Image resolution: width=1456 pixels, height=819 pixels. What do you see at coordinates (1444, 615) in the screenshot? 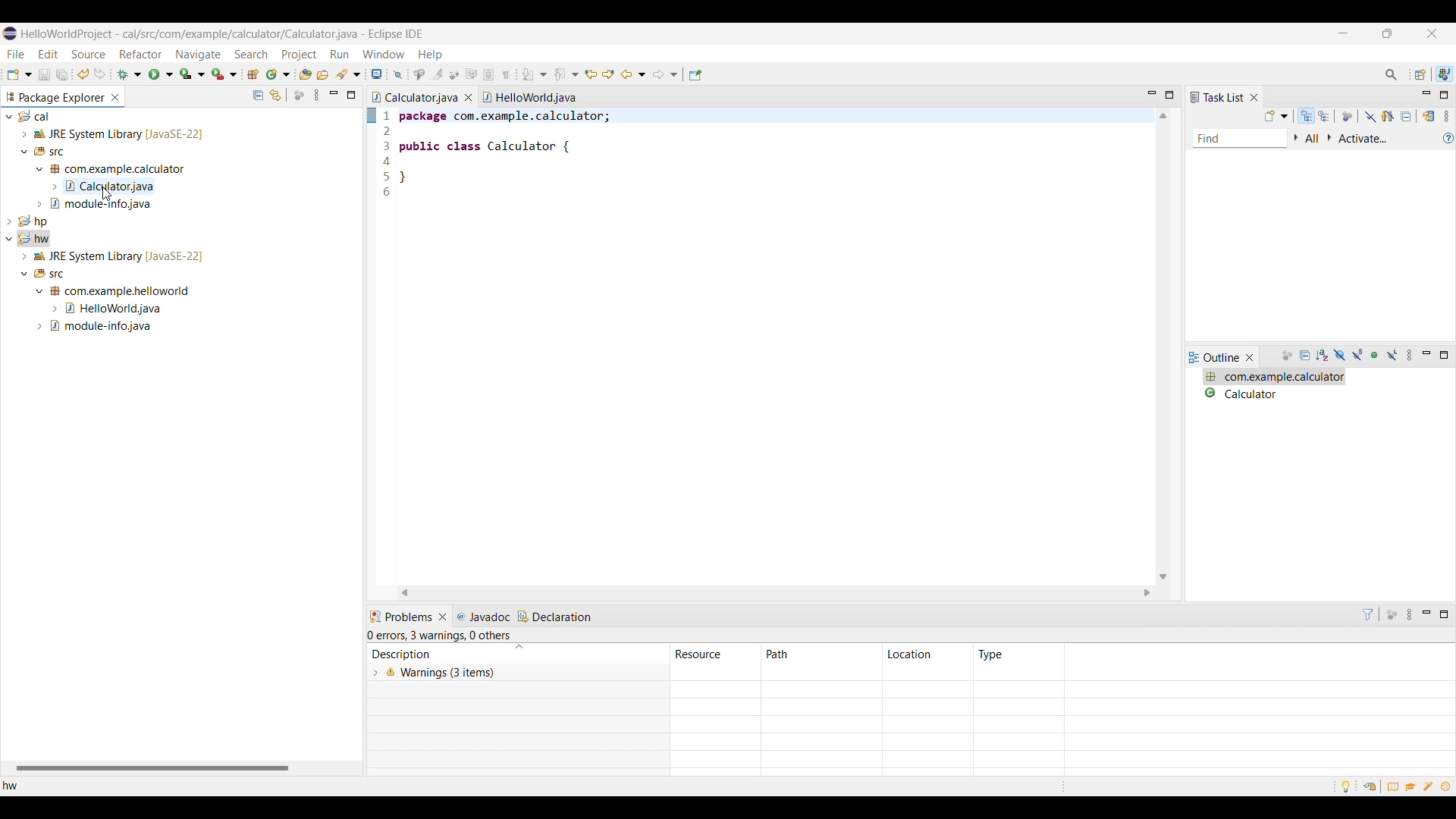
I see `Maximize` at bounding box center [1444, 615].